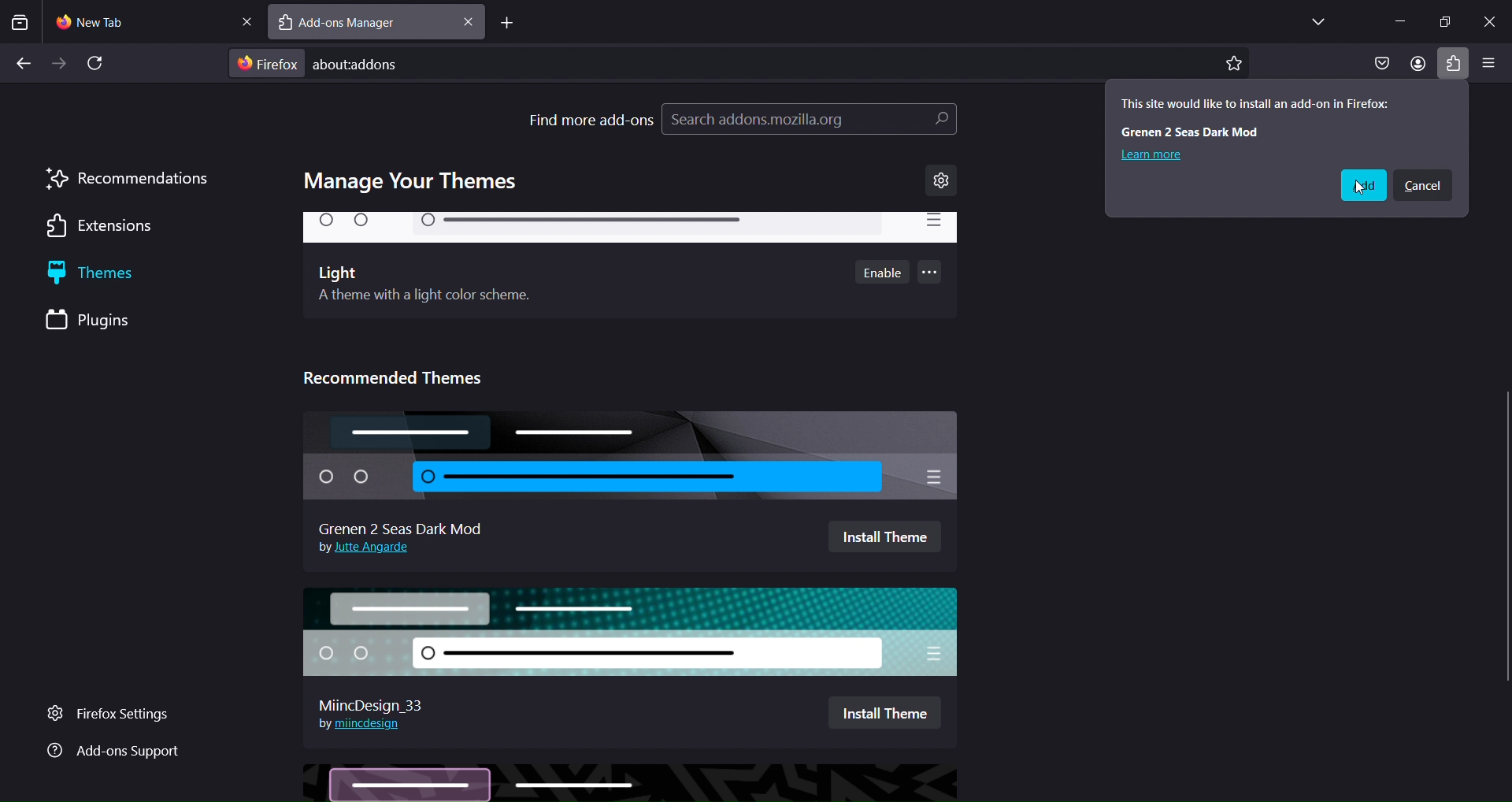 This screenshot has width=1512, height=802. Describe the element at coordinates (809, 122) in the screenshot. I see `search addons.mozilla.org` at that location.